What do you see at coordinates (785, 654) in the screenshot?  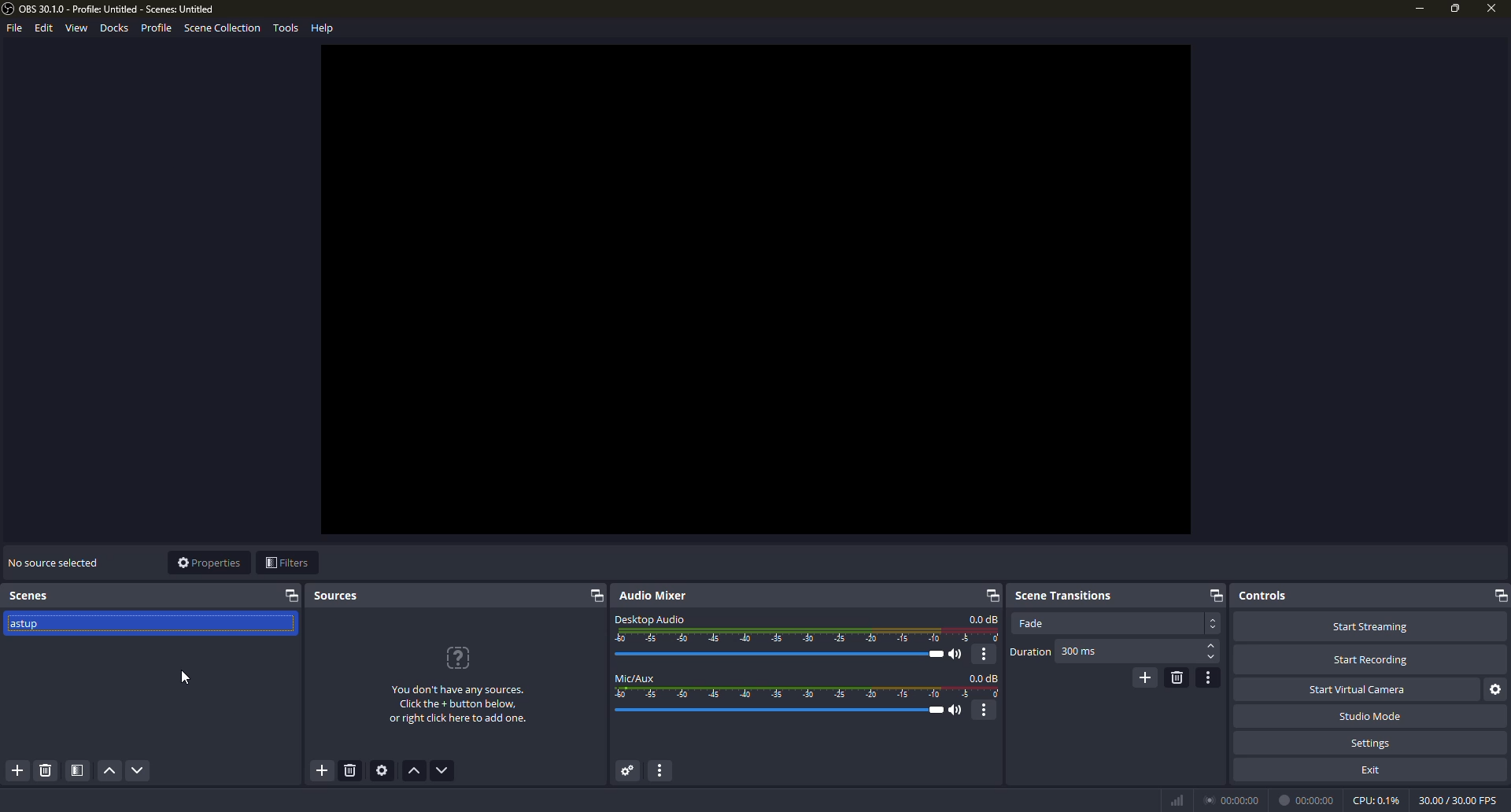 I see `volume` at bounding box center [785, 654].